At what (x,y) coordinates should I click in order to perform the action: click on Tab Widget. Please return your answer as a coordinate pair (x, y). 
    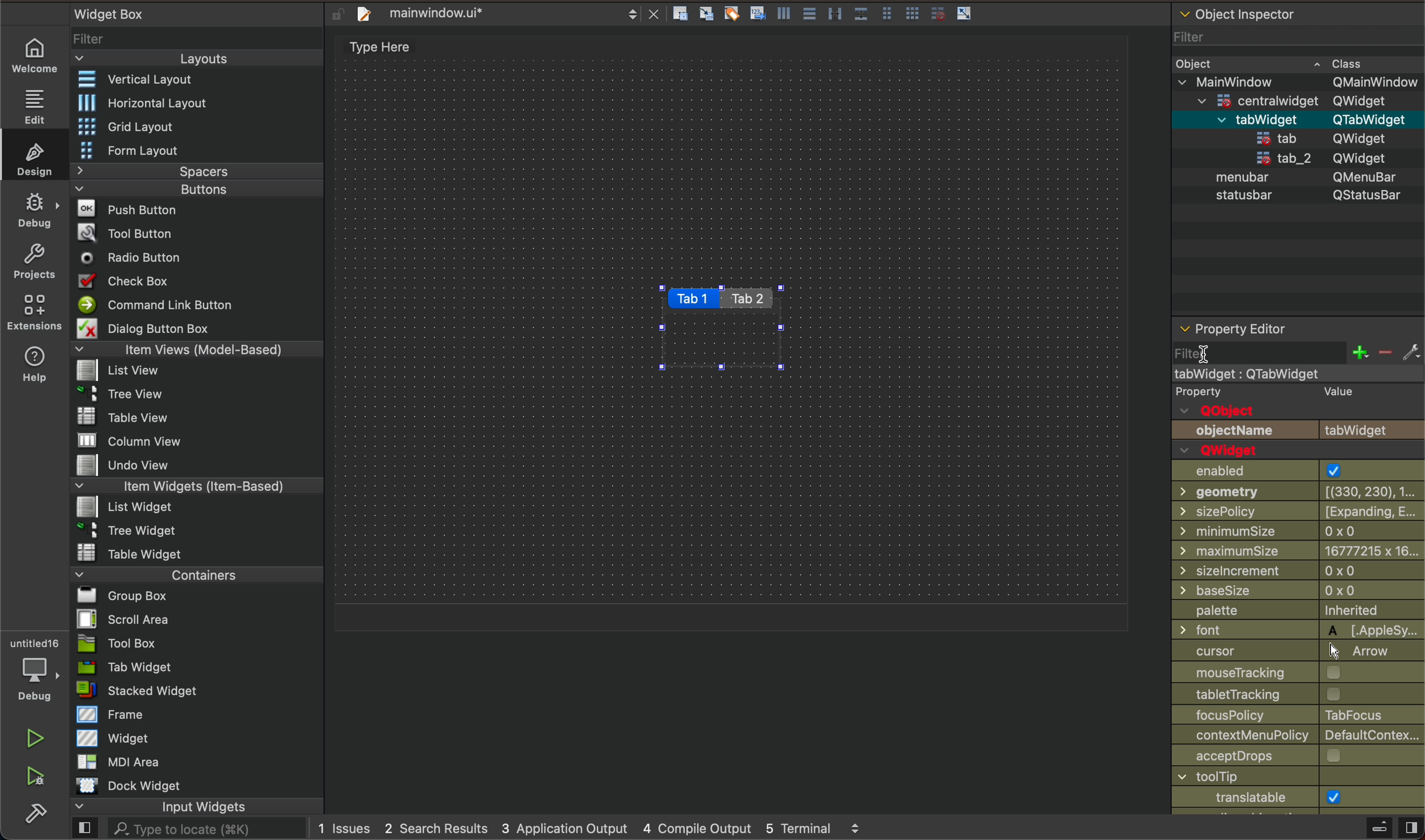
    Looking at the image, I should click on (134, 667).